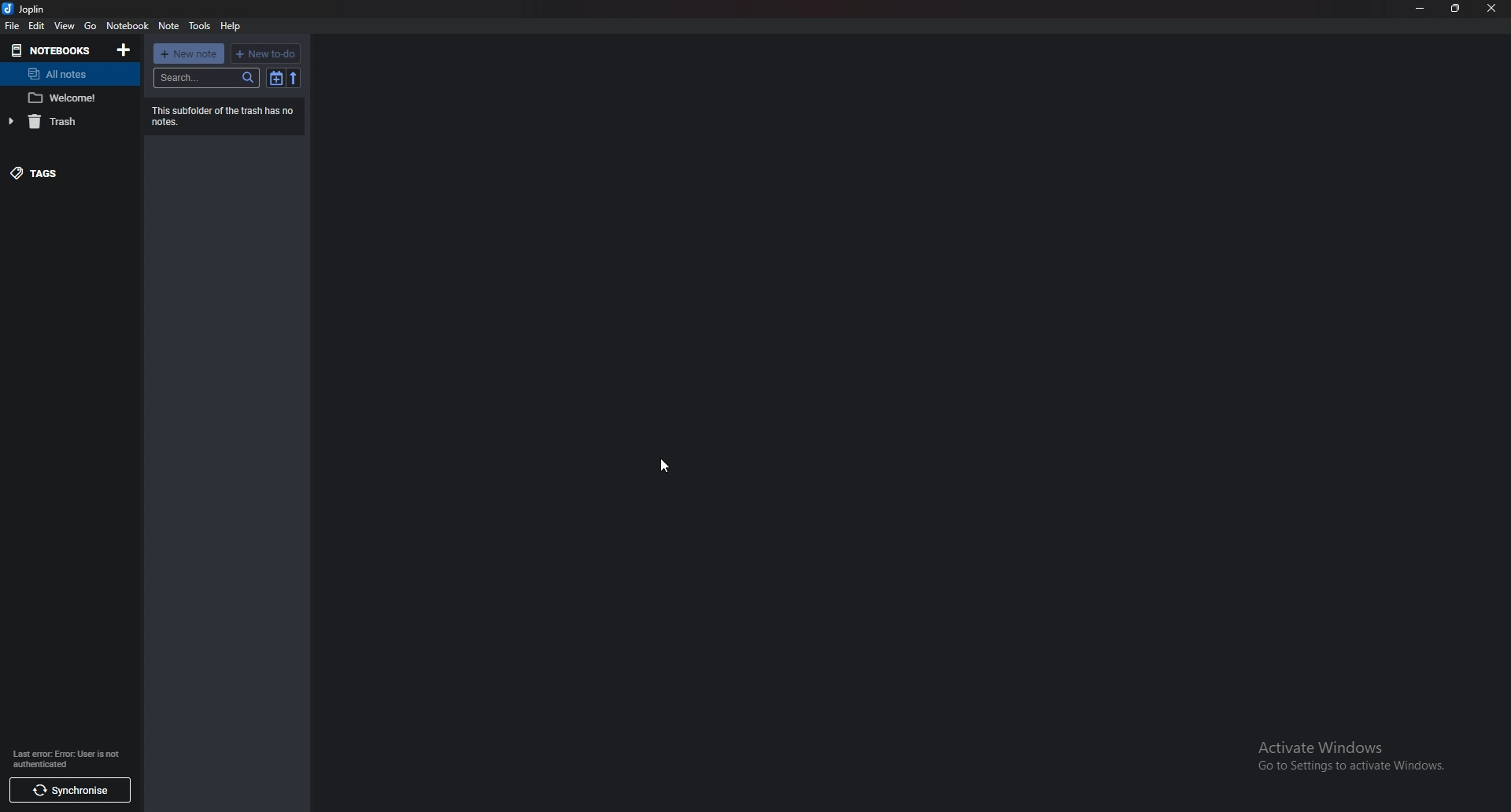  What do you see at coordinates (92, 26) in the screenshot?
I see `go` at bounding box center [92, 26].